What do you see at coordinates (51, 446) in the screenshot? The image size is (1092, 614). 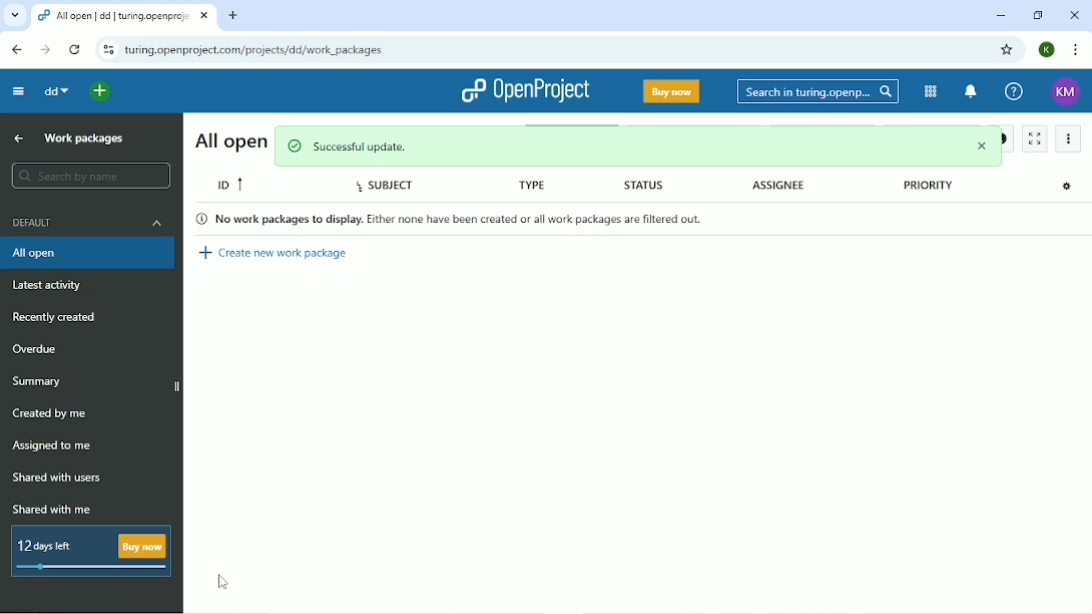 I see `Assigned to me` at bounding box center [51, 446].